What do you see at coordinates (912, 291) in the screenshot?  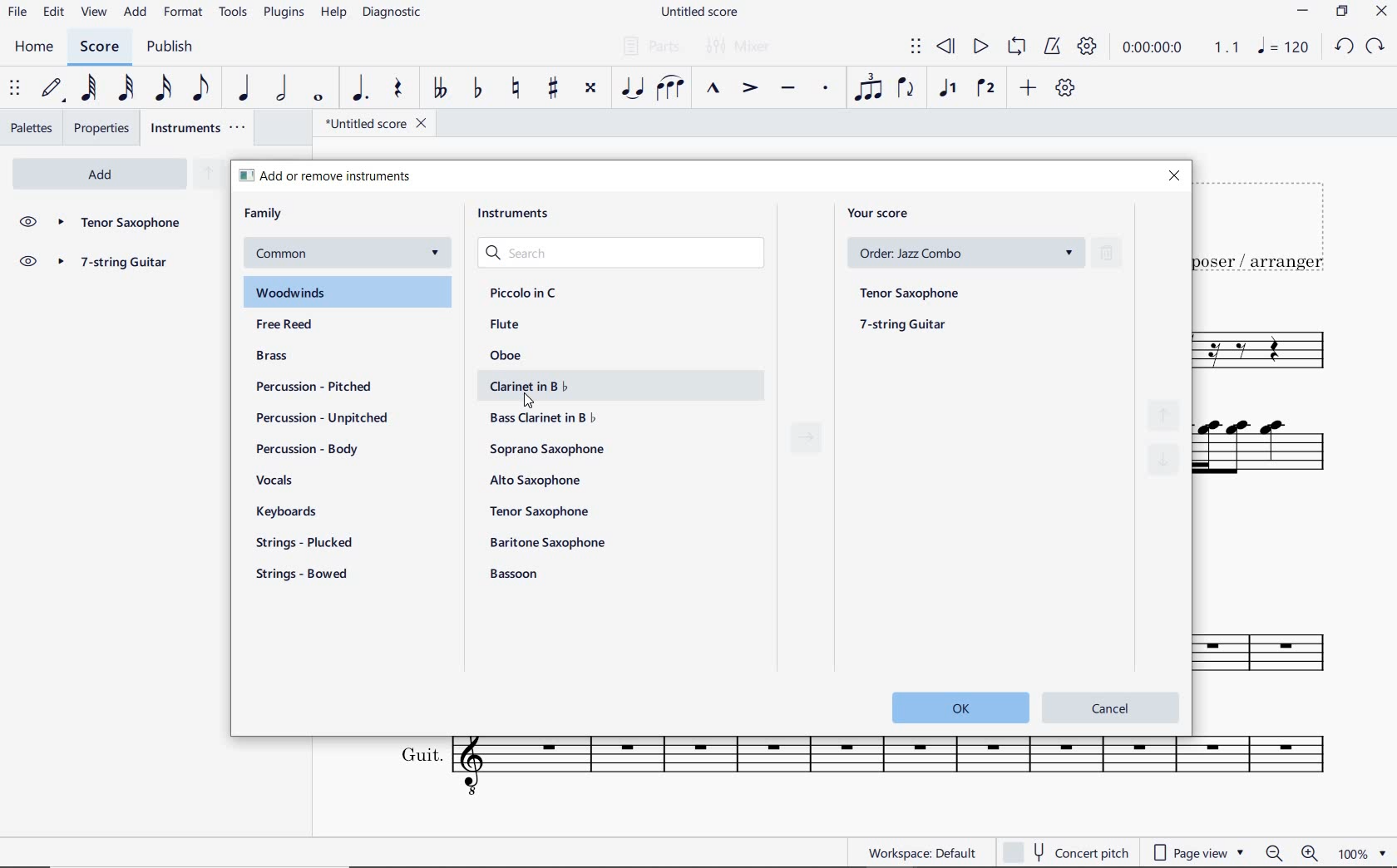 I see `tenor saxophone` at bounding box center [912, 291].